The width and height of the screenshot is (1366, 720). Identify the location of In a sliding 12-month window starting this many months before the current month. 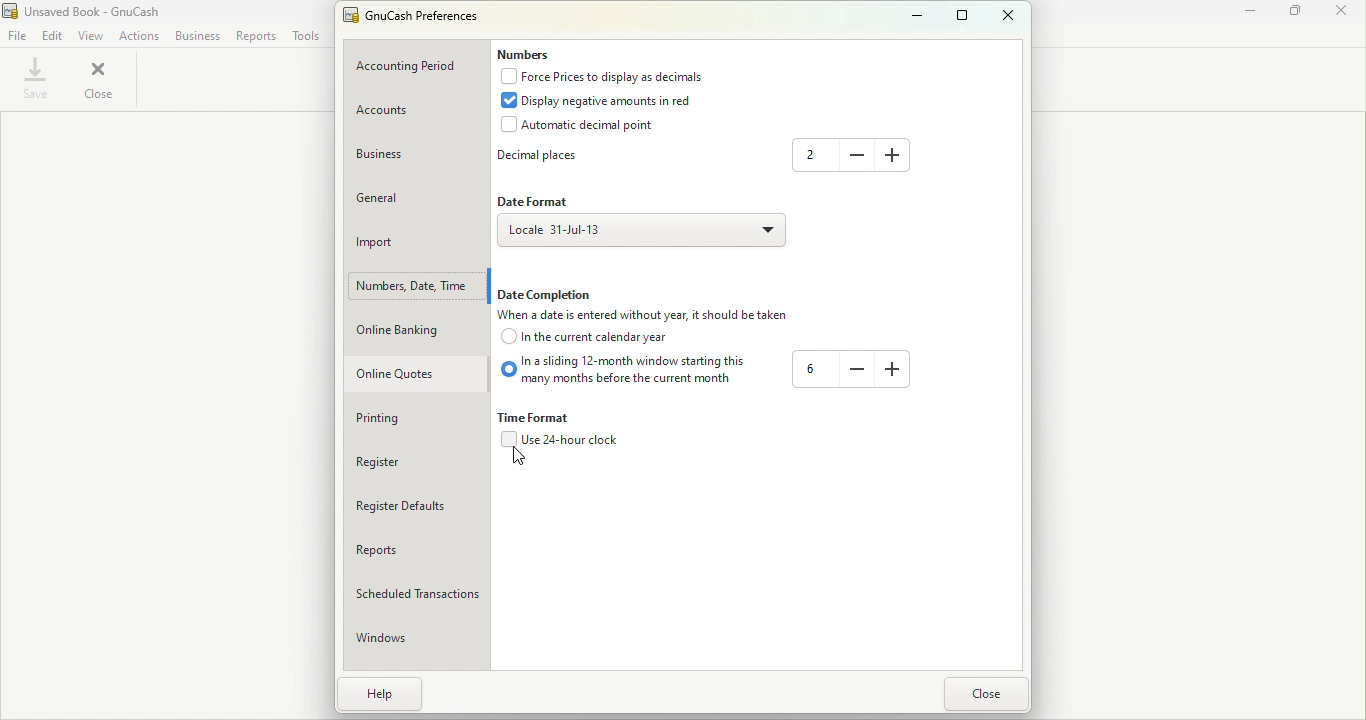
(620, 373).